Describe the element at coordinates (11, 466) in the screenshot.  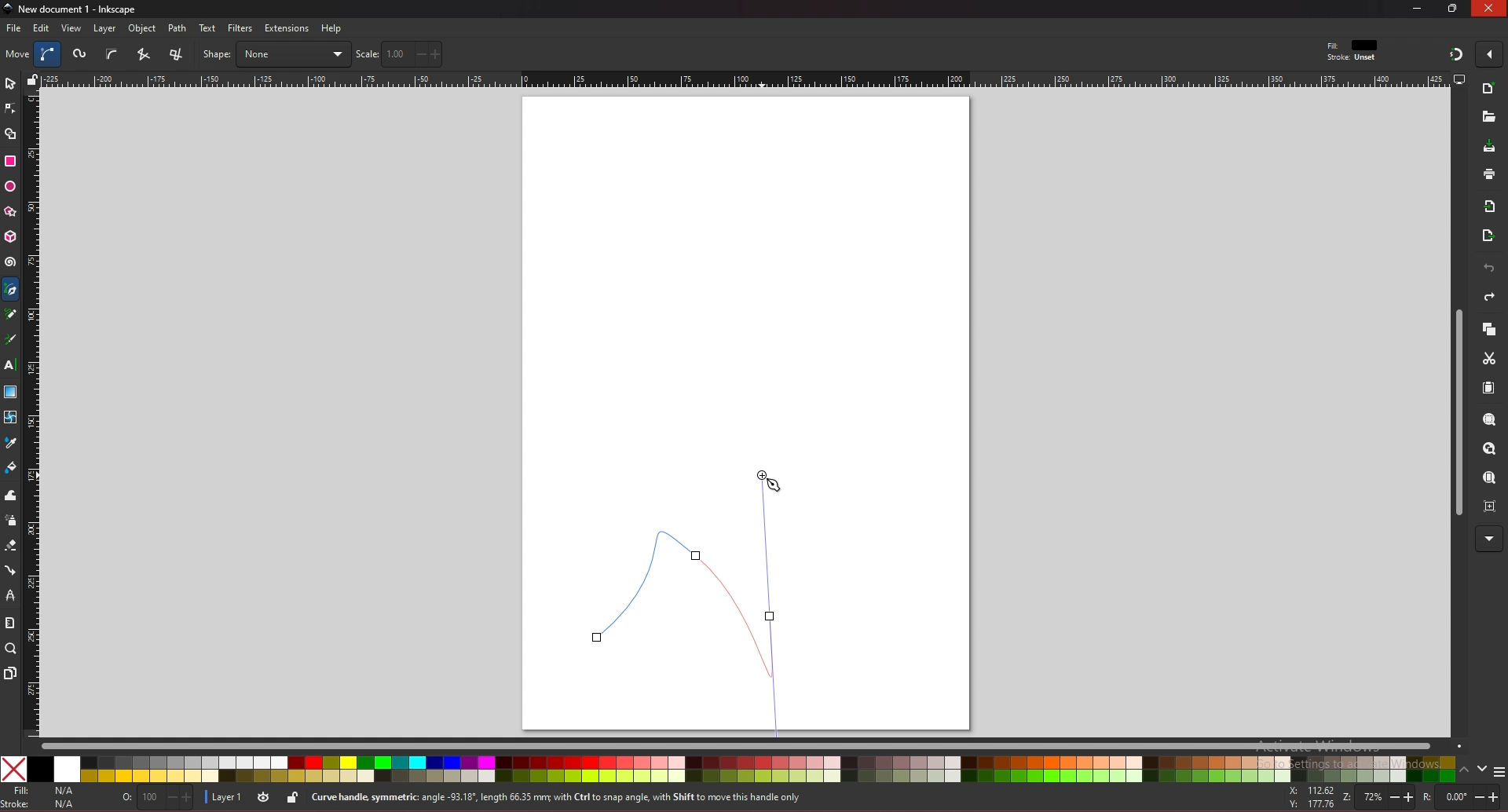
I see `paint bucket` at that location.